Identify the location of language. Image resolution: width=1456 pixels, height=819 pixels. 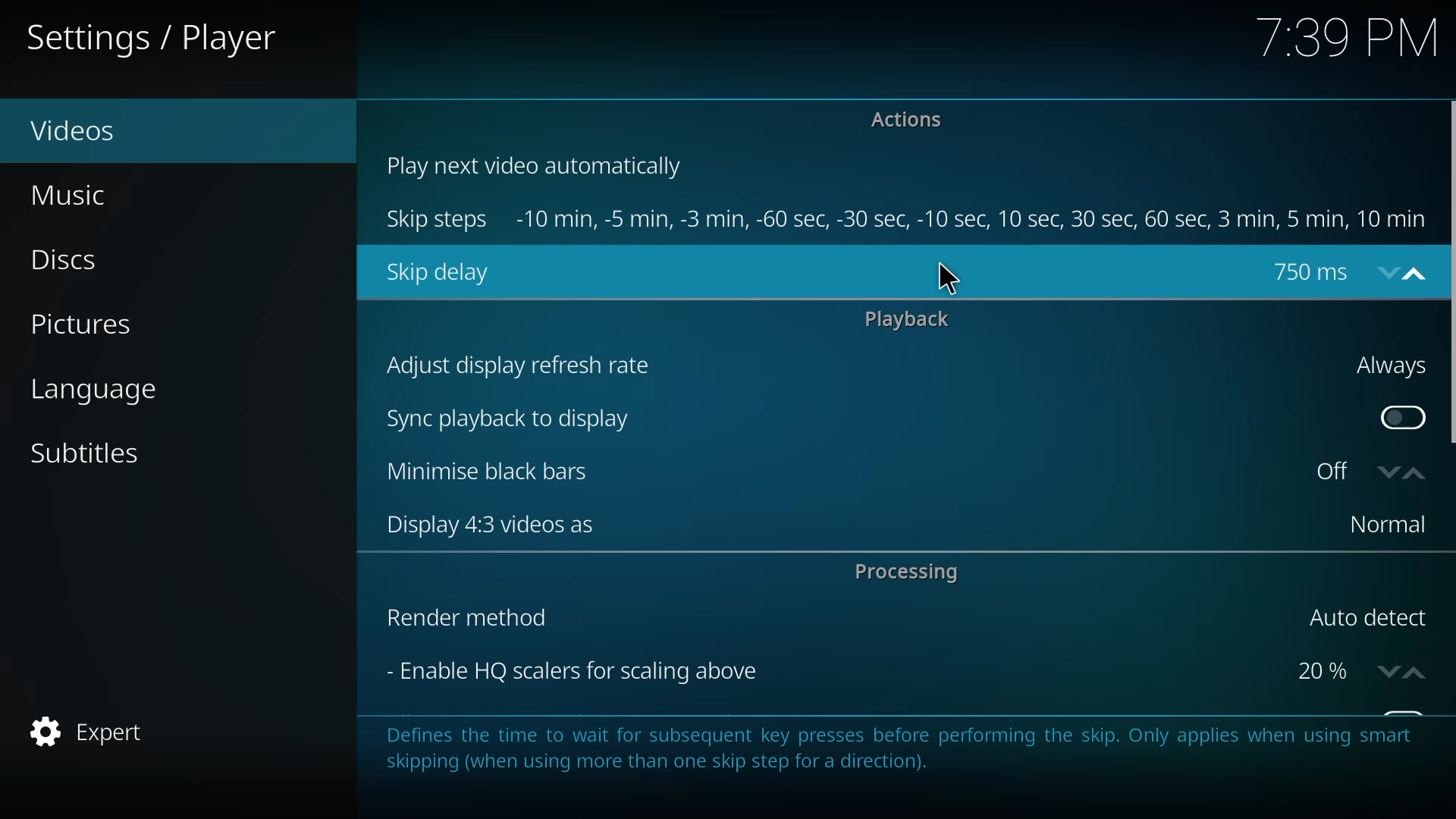
(111, 393).